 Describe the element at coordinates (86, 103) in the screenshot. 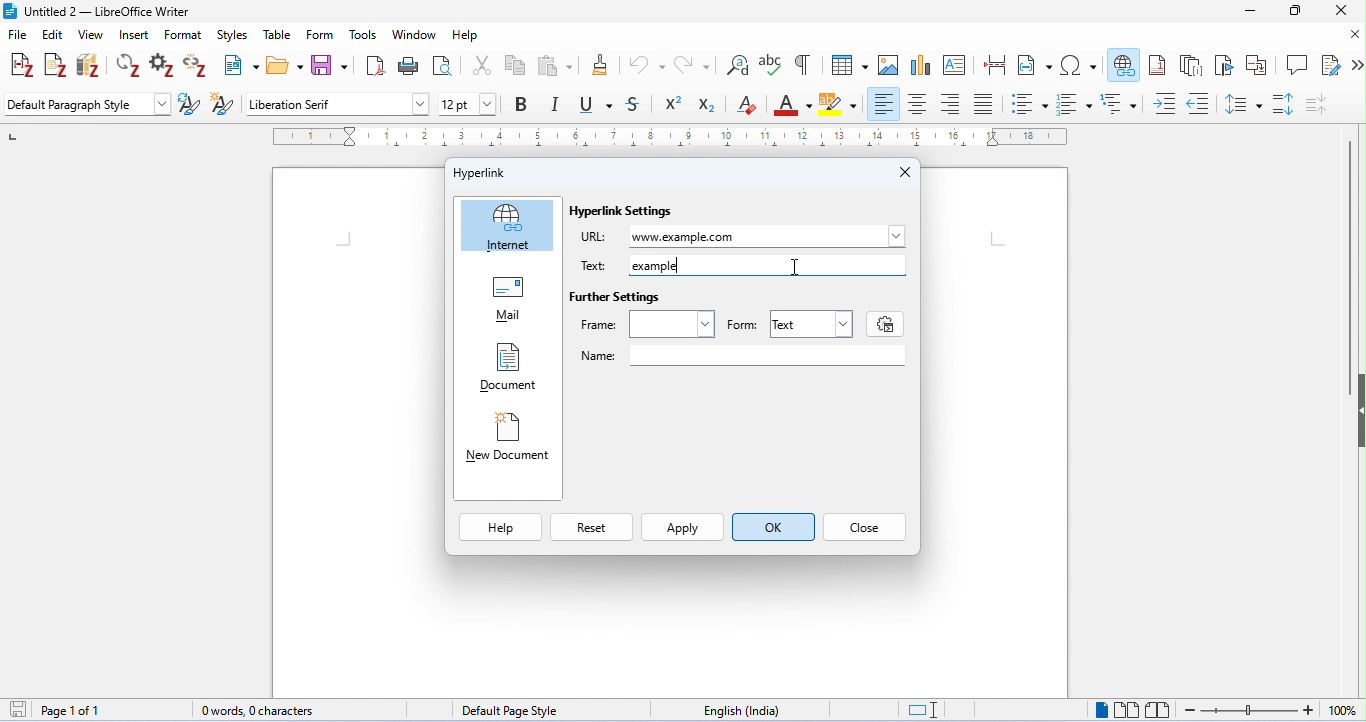

I see `default paragraph style` at that location.